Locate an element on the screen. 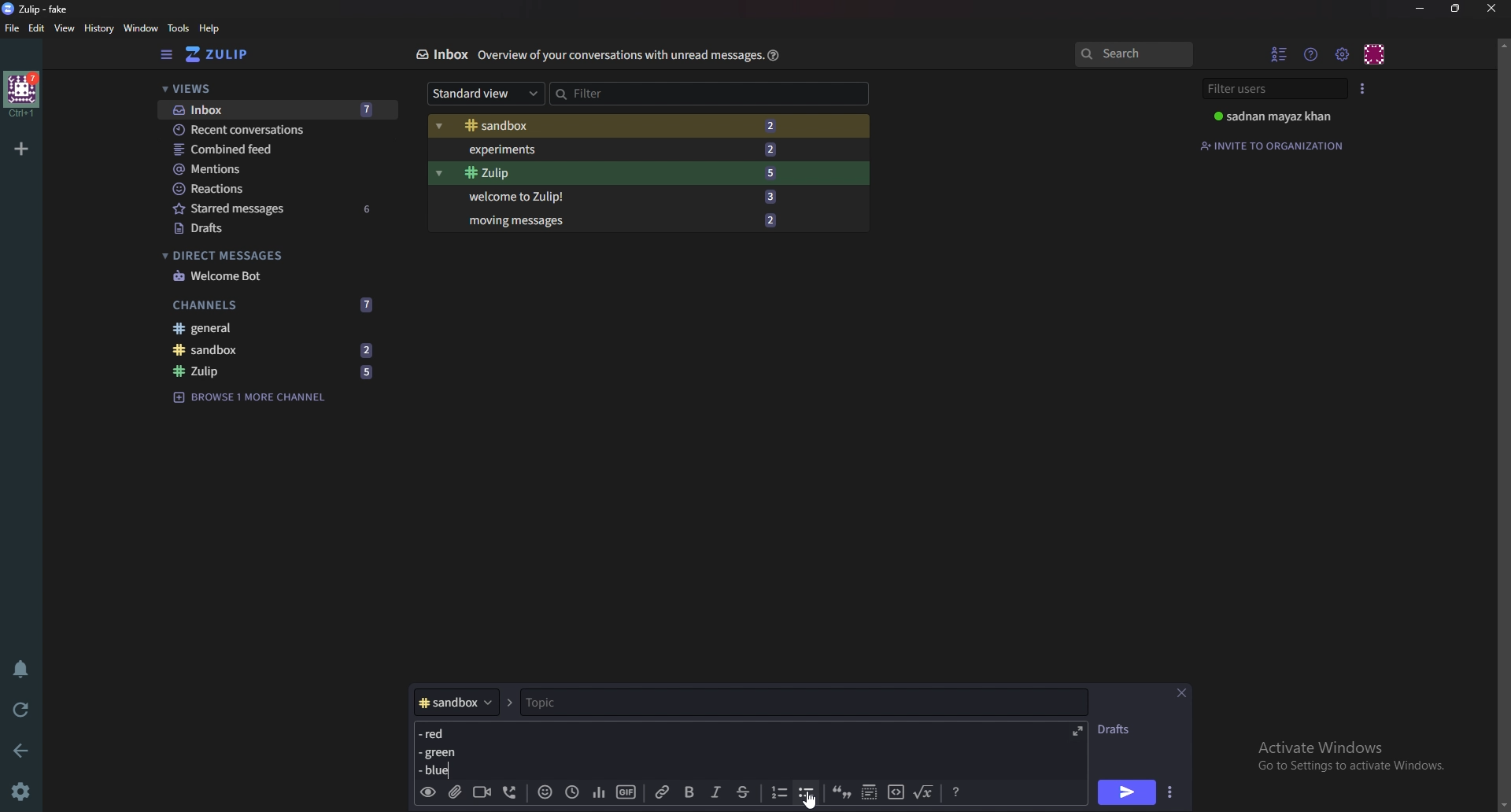 The height and width of the screenshot is (812, 1511). Close message is located at coordinates (1182, 694).